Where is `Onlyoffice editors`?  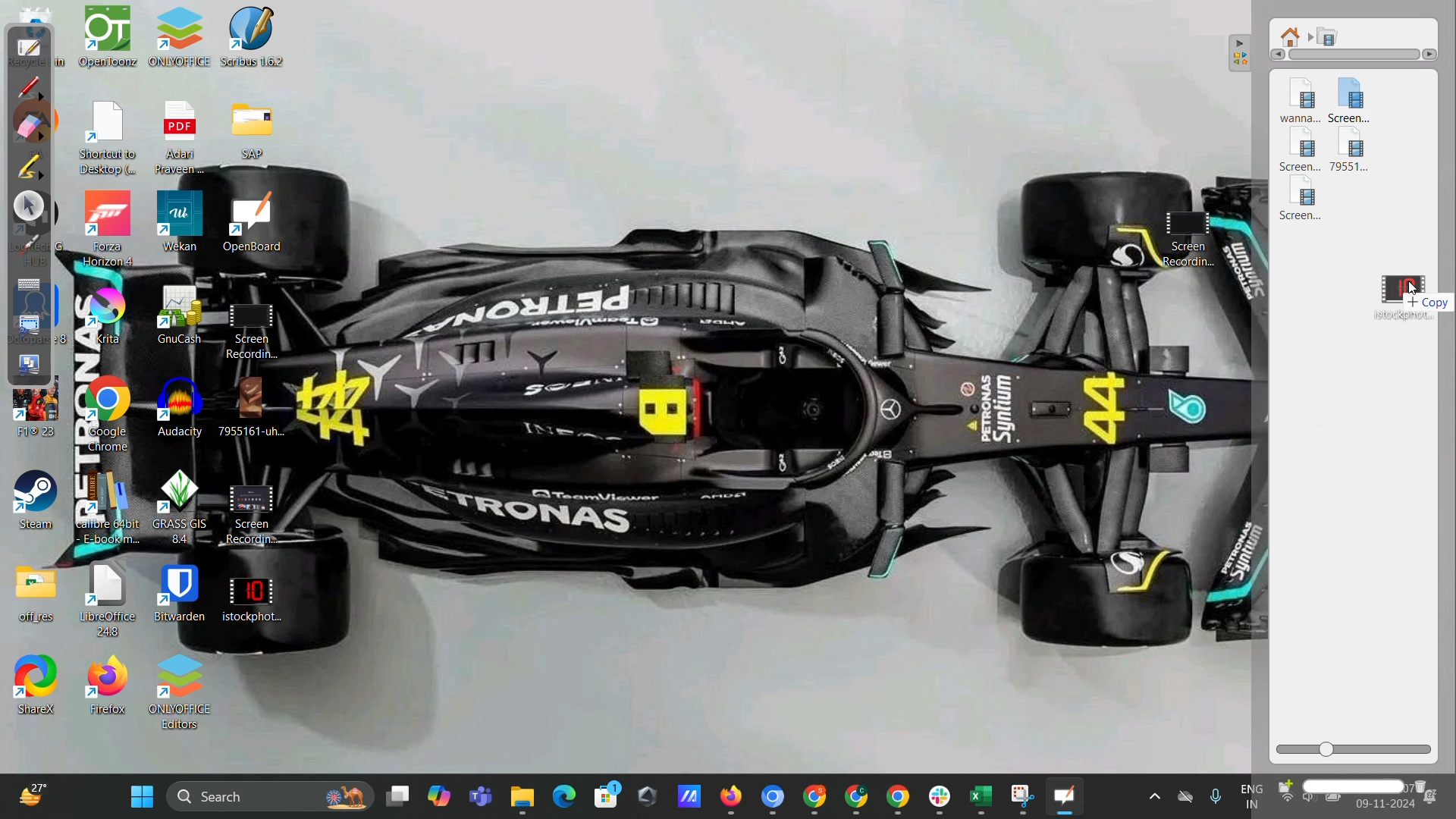
Onlyoffice editors is located at coordinates (186, 692).